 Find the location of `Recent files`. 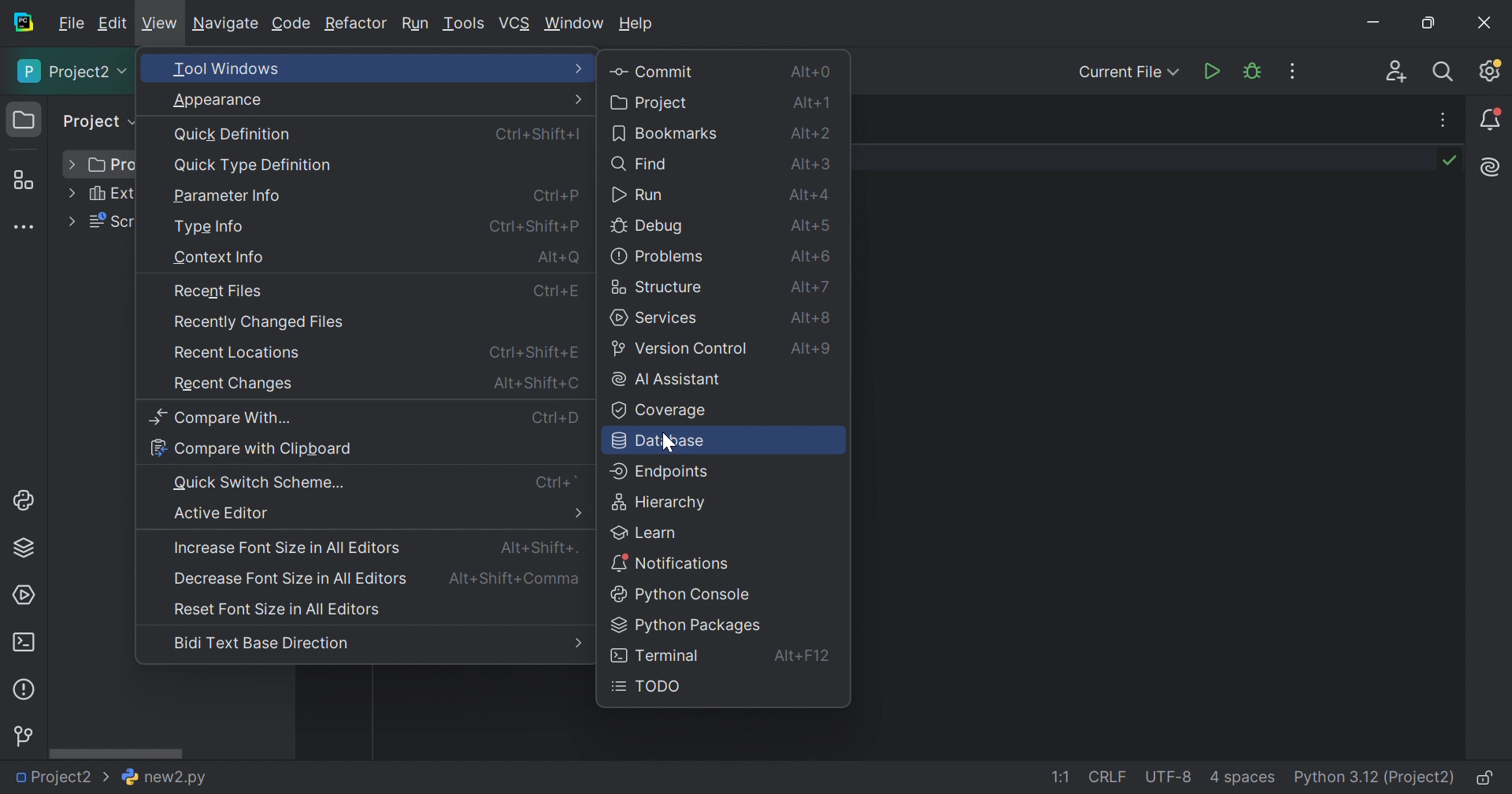

Recent files is located at coordinates (222, 290).